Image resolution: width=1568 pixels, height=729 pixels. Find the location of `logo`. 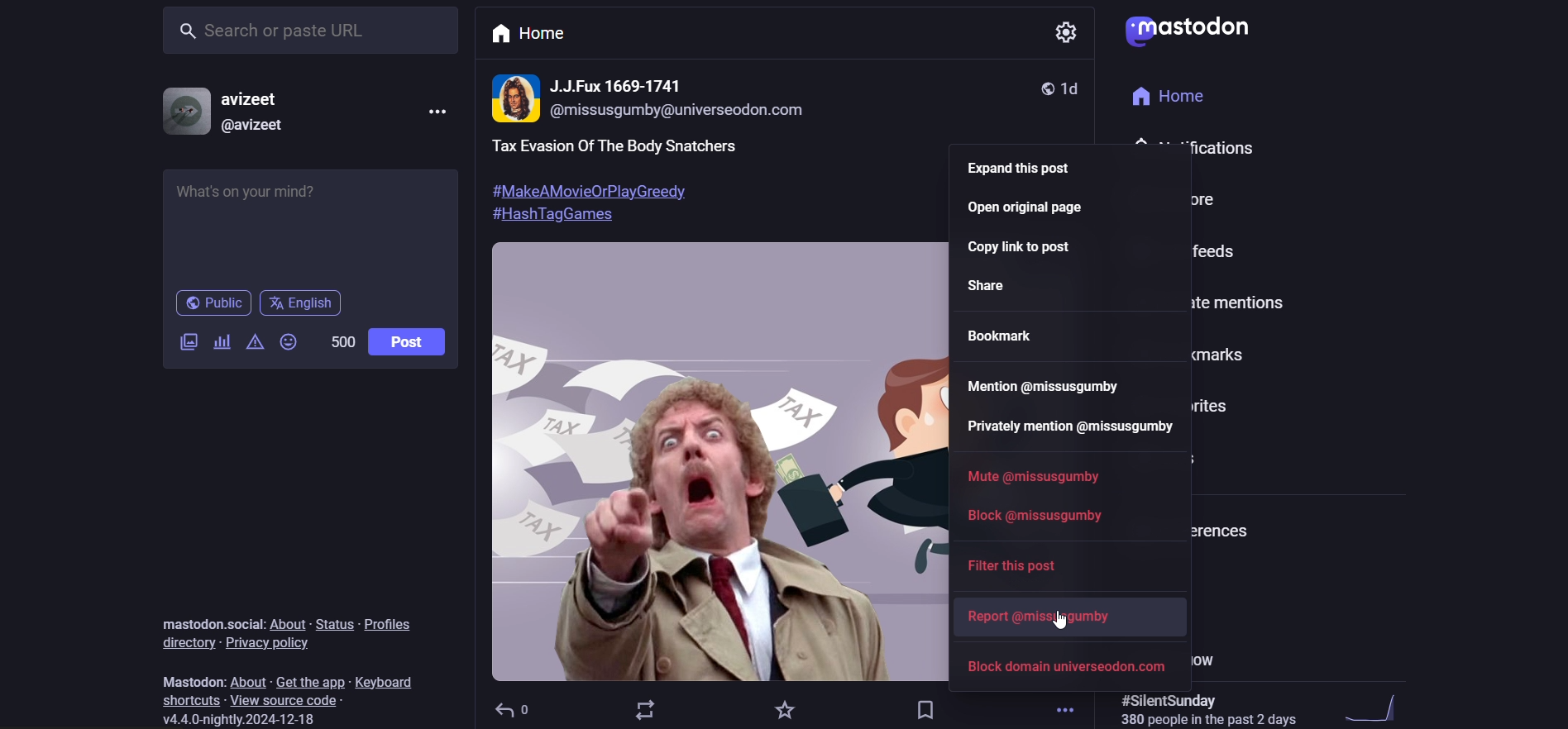

logo is located at coordinates (1185, 31).